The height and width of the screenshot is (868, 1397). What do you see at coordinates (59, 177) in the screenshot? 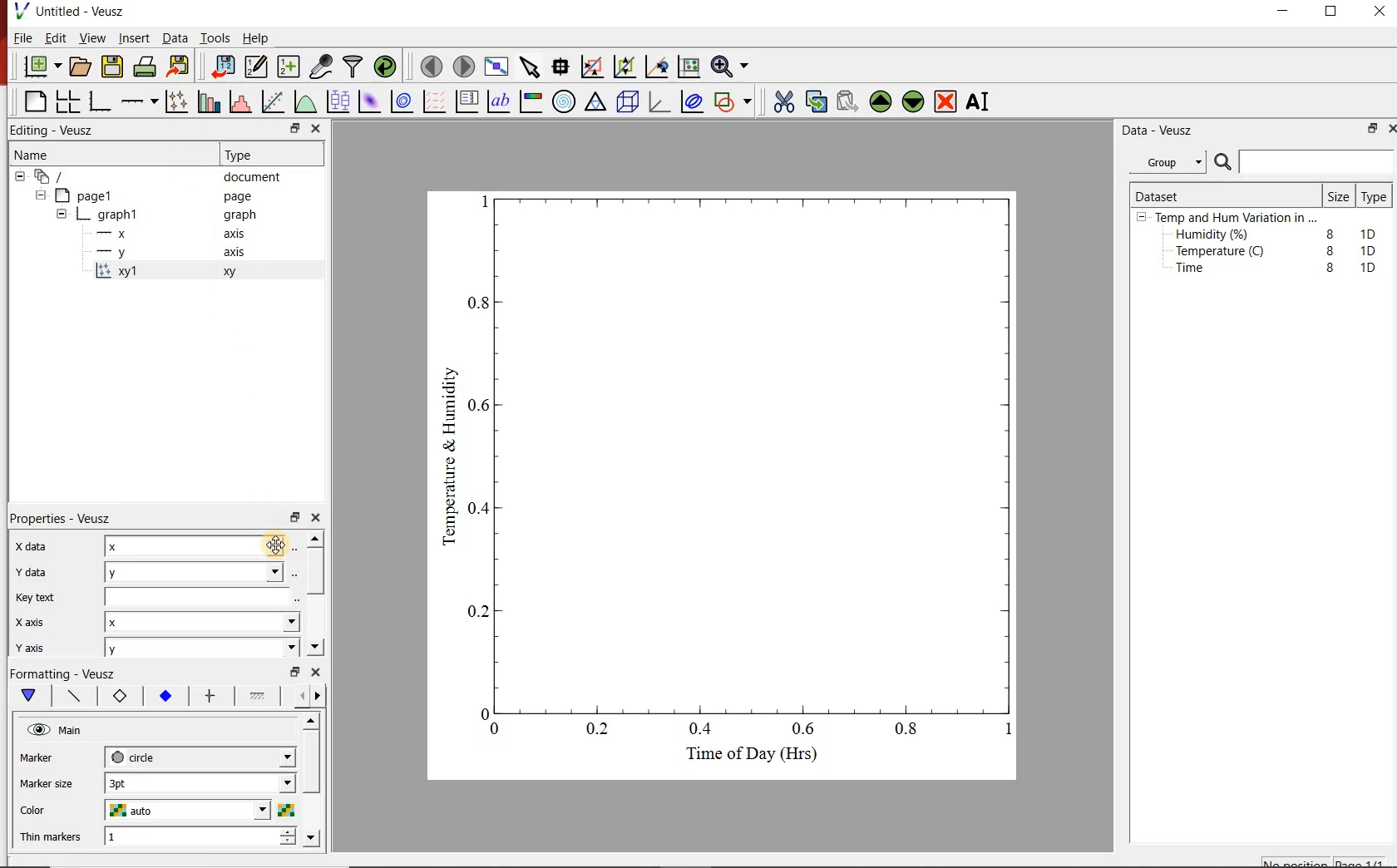
I see `document widget` at bounding box center [59, 177].